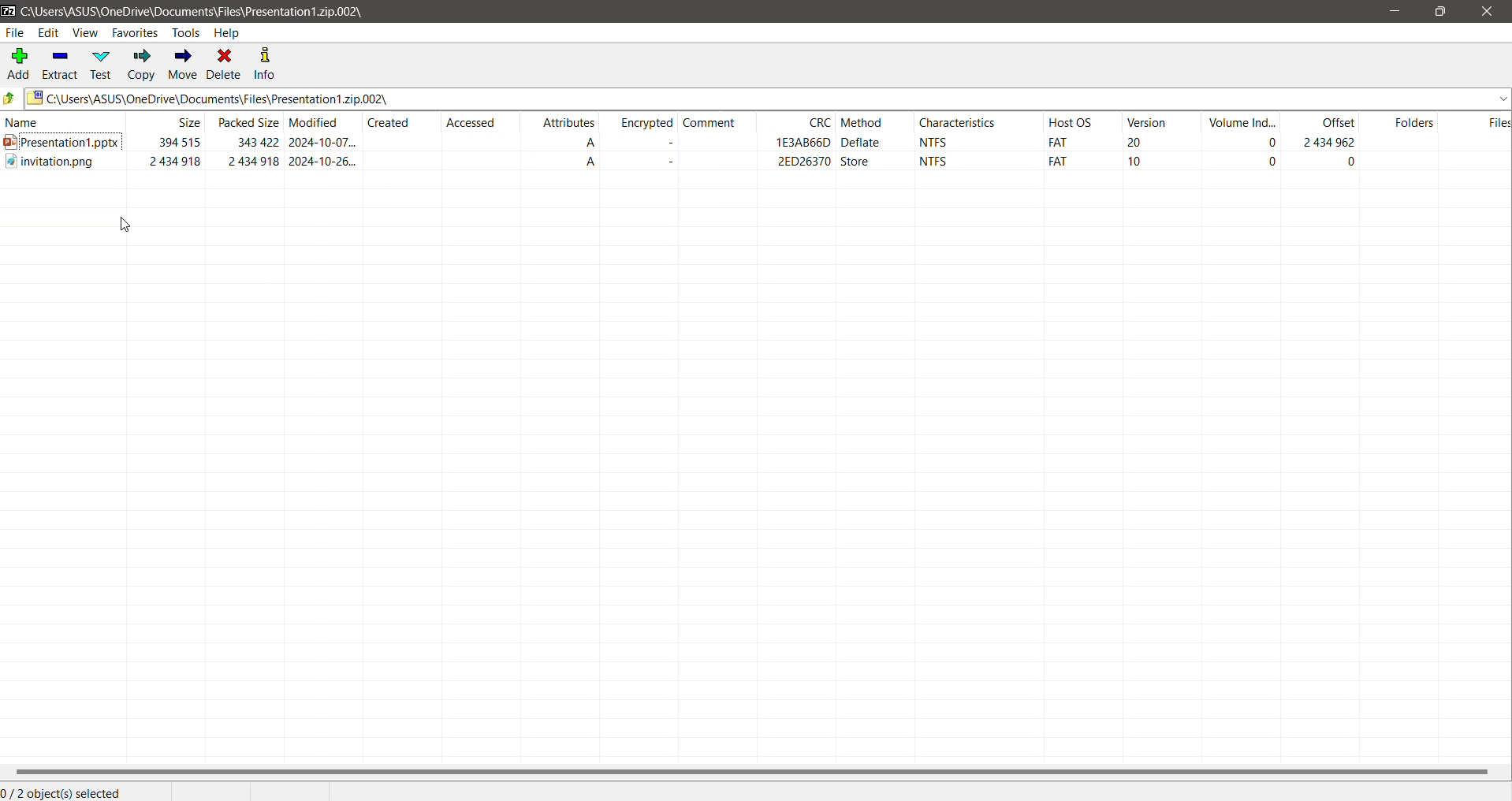 This screenshot has width=1512, height=801. Describe the element at coordinates (251, 162) in the screenshot. I see `2434918` at that location.